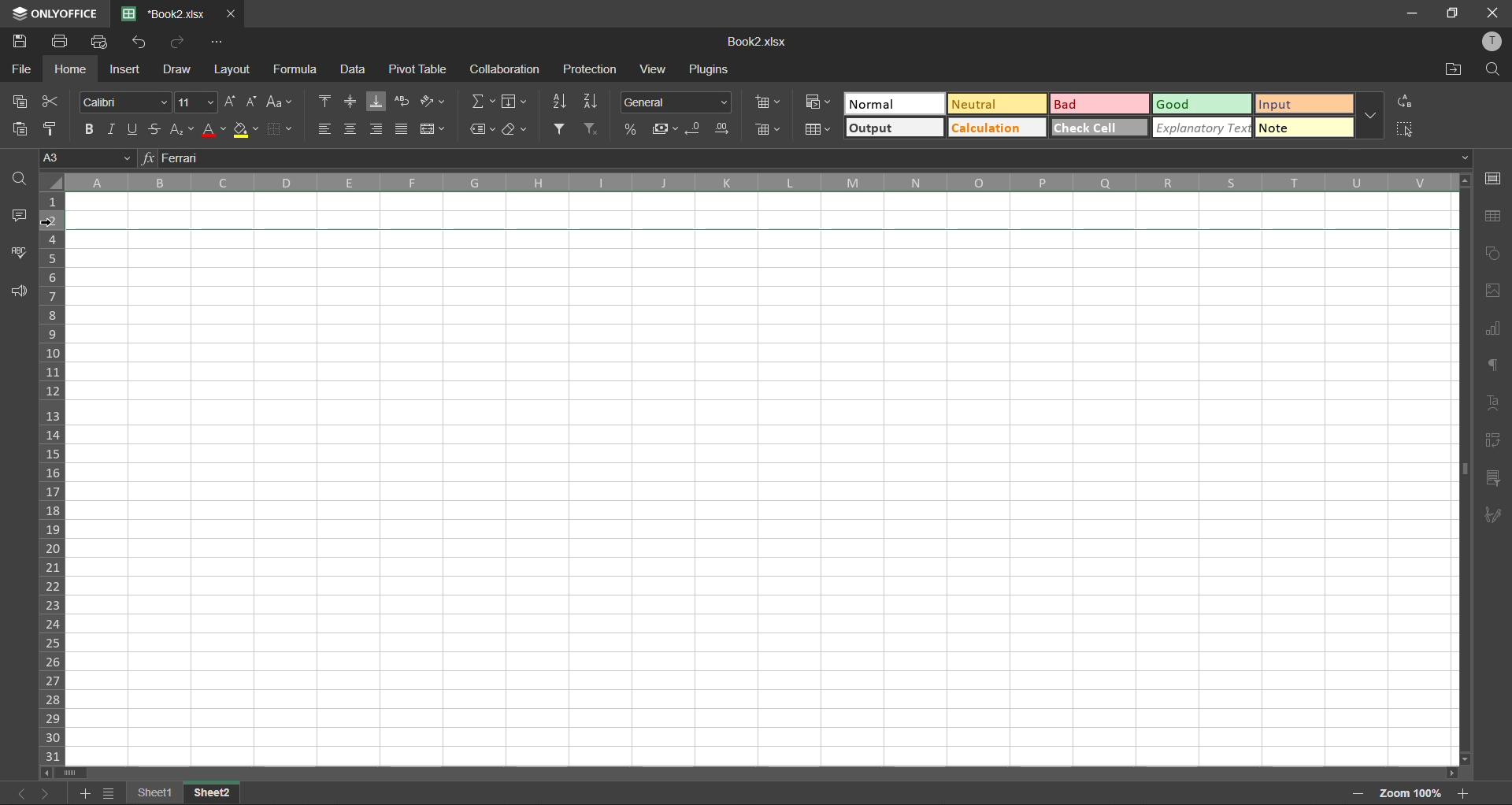 This screenshot has width=1512, height=805. What do you see at coordinates (352, 129) in the screenshot?
I see `align center` at bounding box center [352, 129].